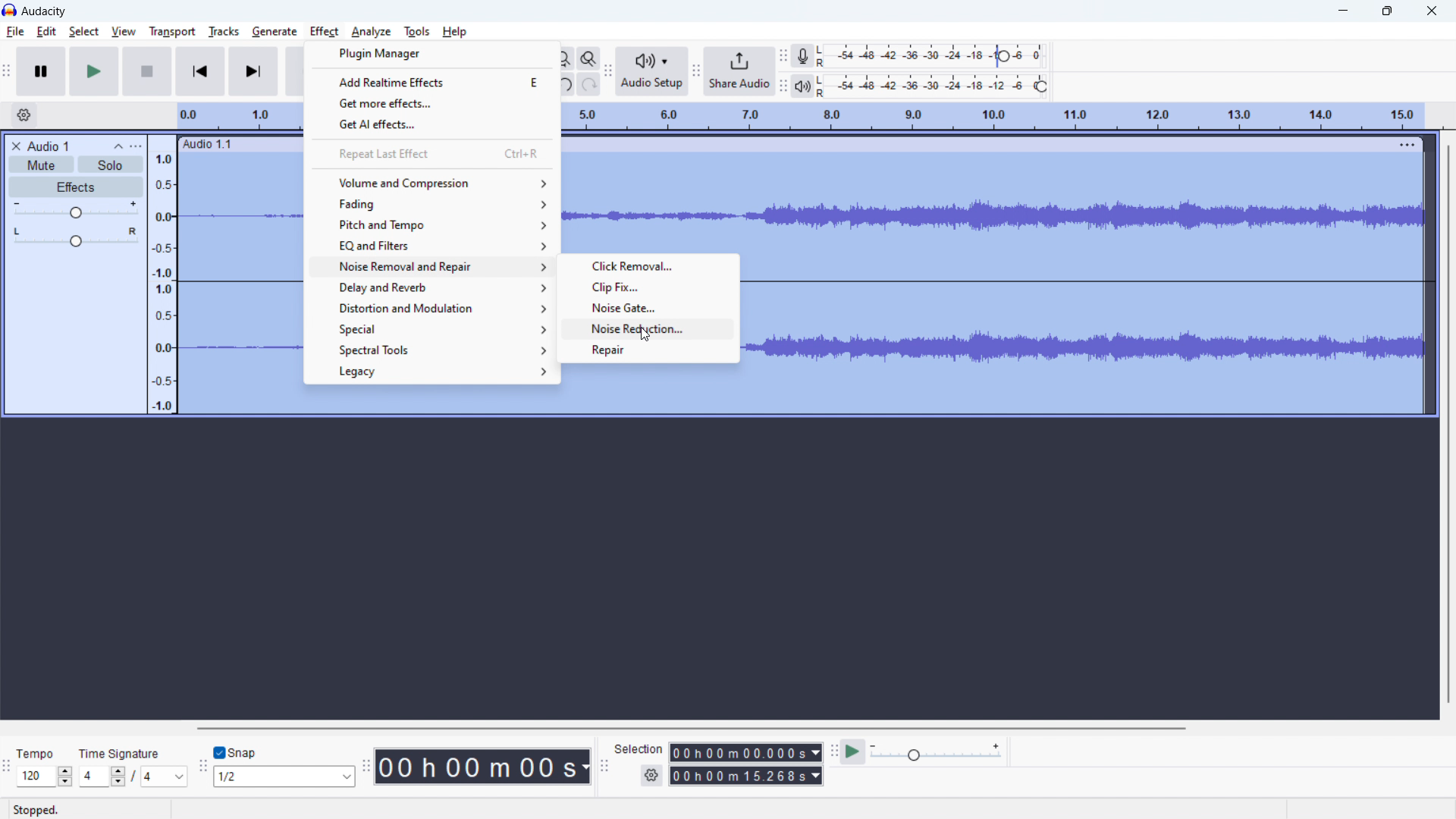 Image resolution: width=1456 pixels, height=819 pixels. I want to click on delete audio, so click(14, 146).